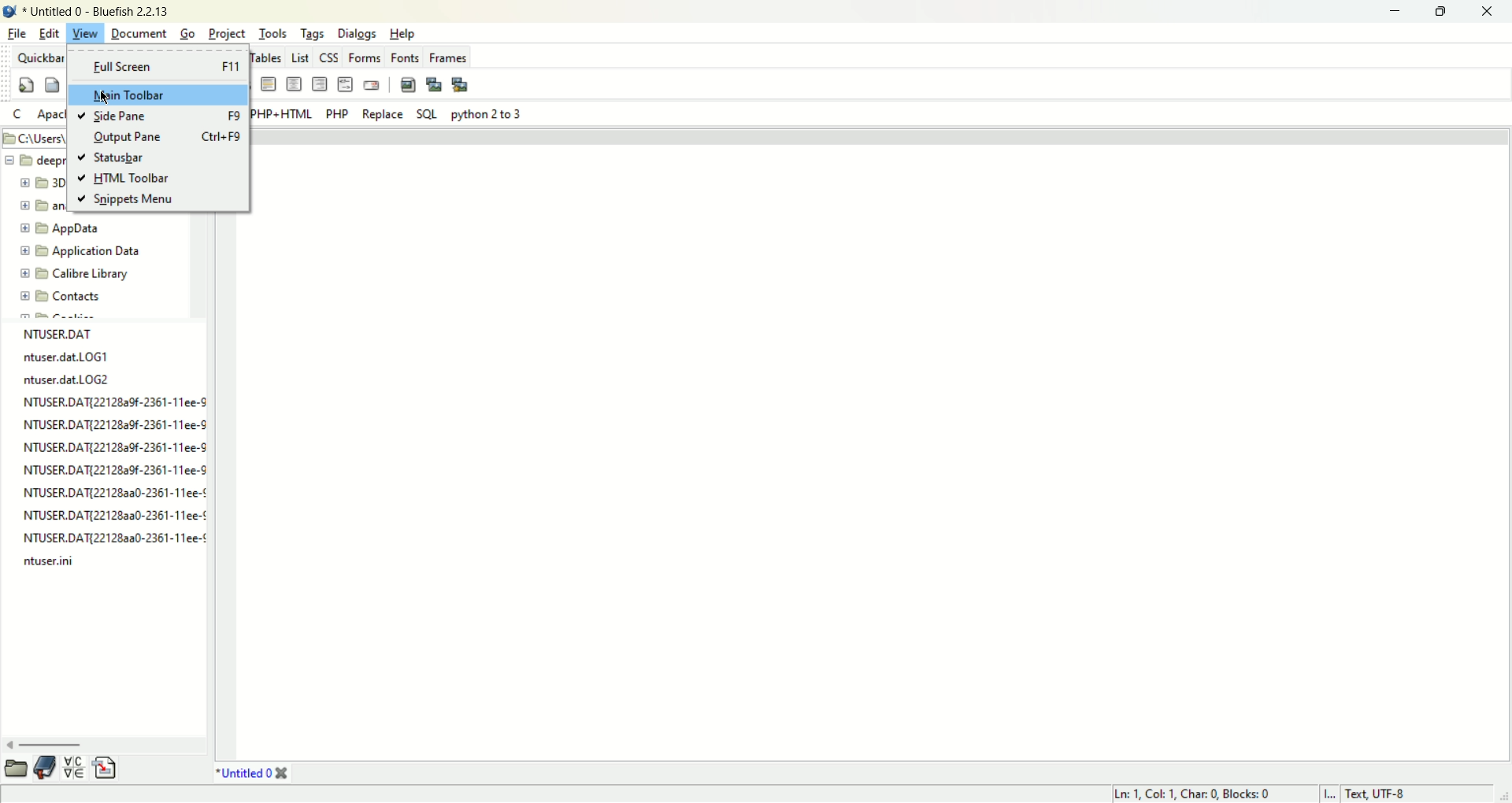  I want to click on CSS, so click(328, 56).